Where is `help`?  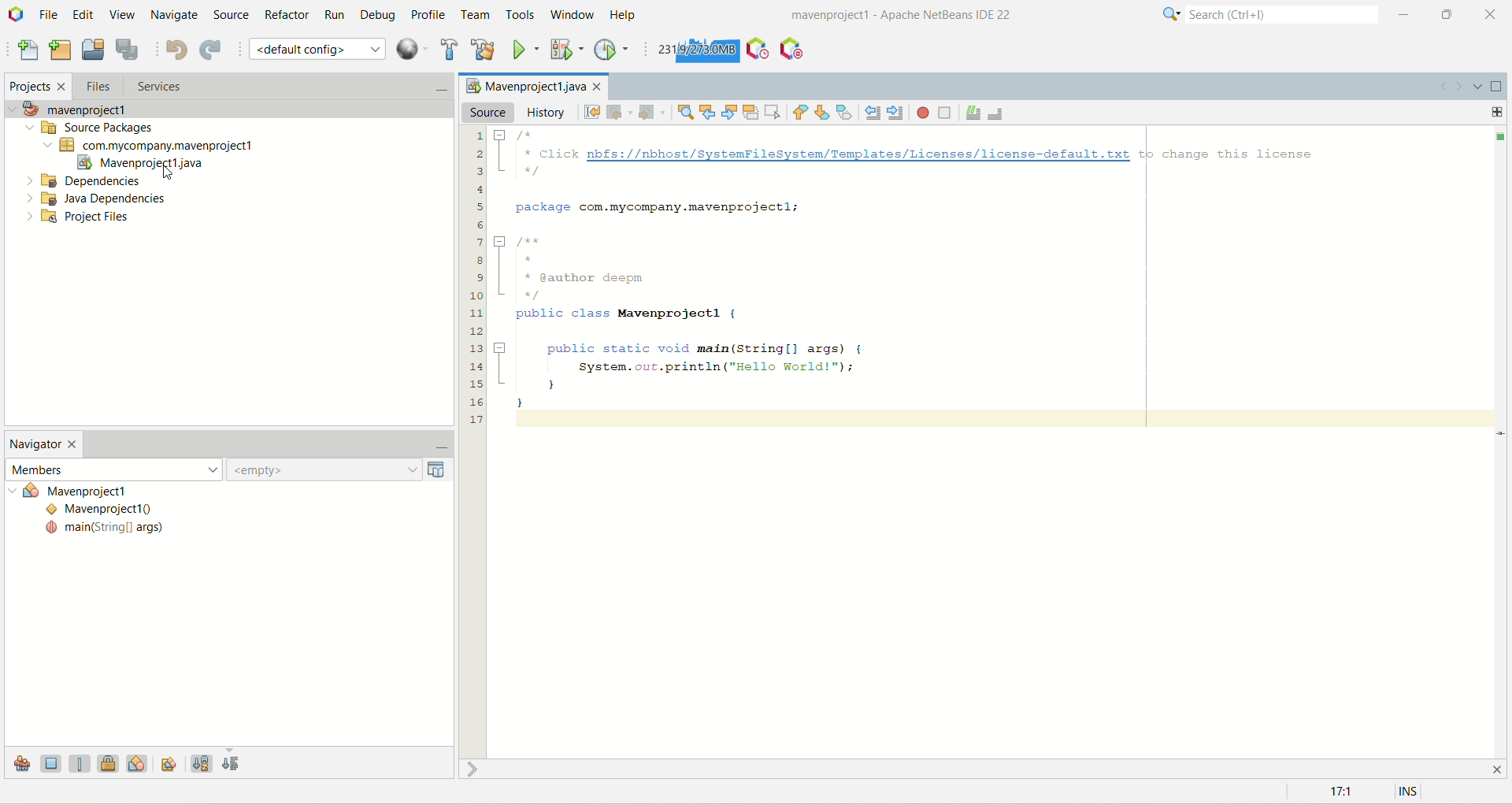 help is located at coordinates (627, 14).